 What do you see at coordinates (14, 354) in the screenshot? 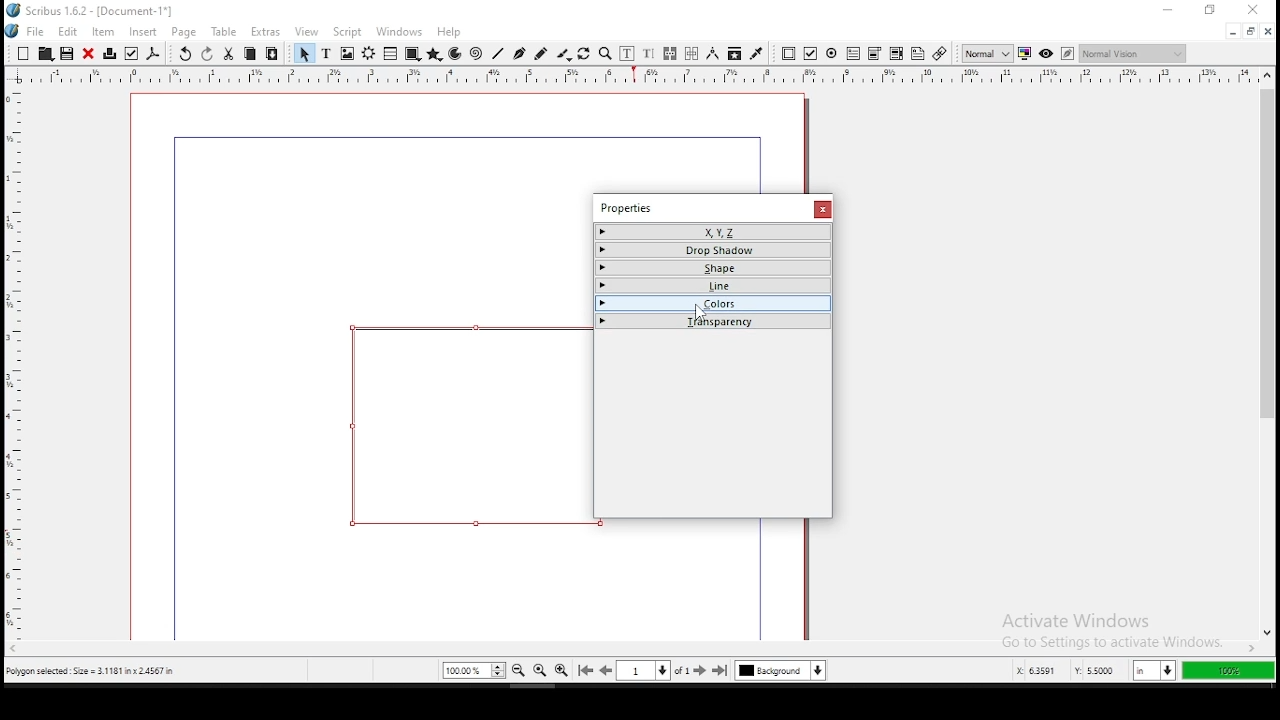
I see `horizontal ruler` at bounding box center [14, 354].